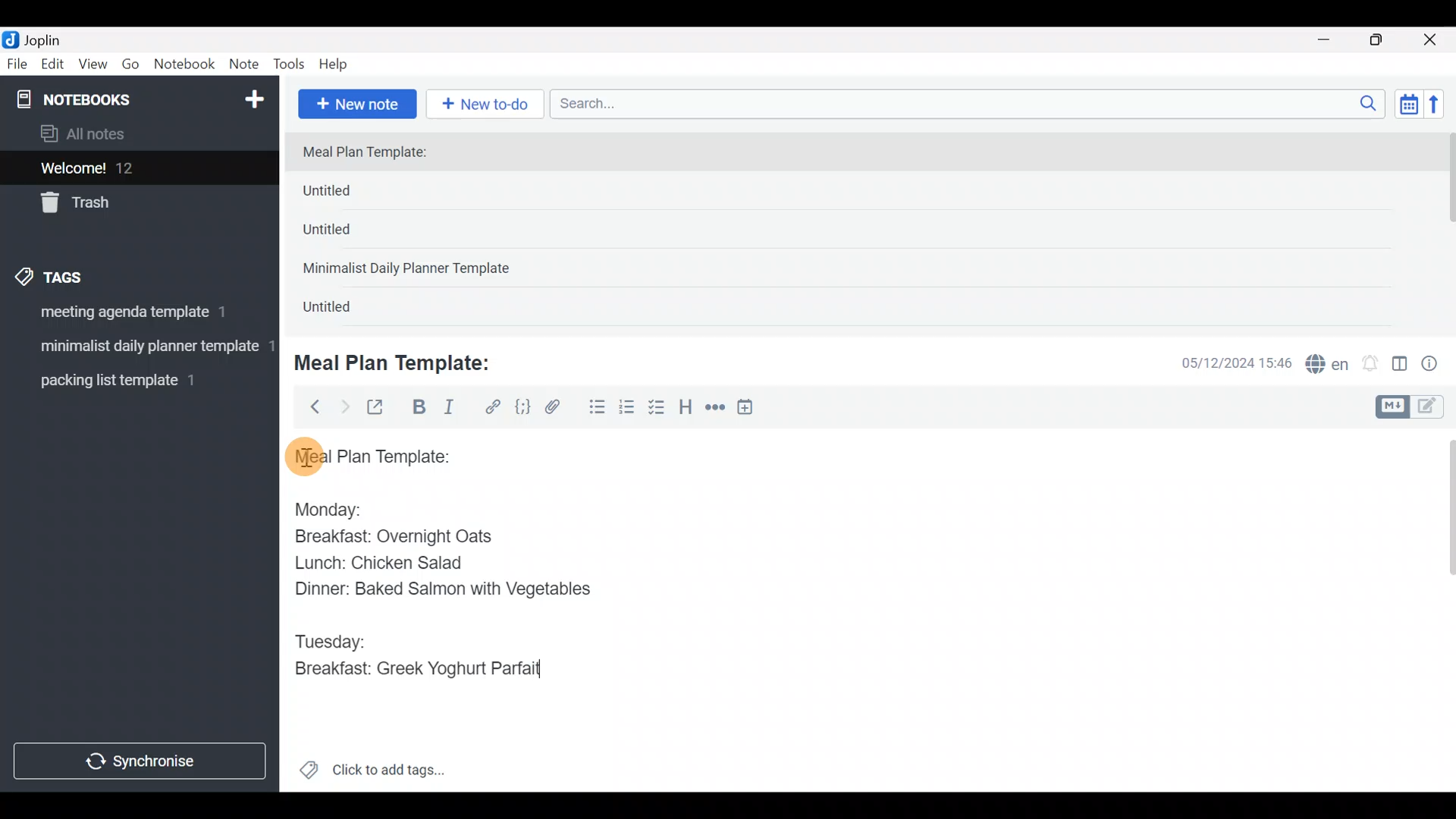 The width and height of the screenshot is (1456, 819). Describe the element at coordinates (1436, 365) in the screenshot. I see `Note properties` at that location.